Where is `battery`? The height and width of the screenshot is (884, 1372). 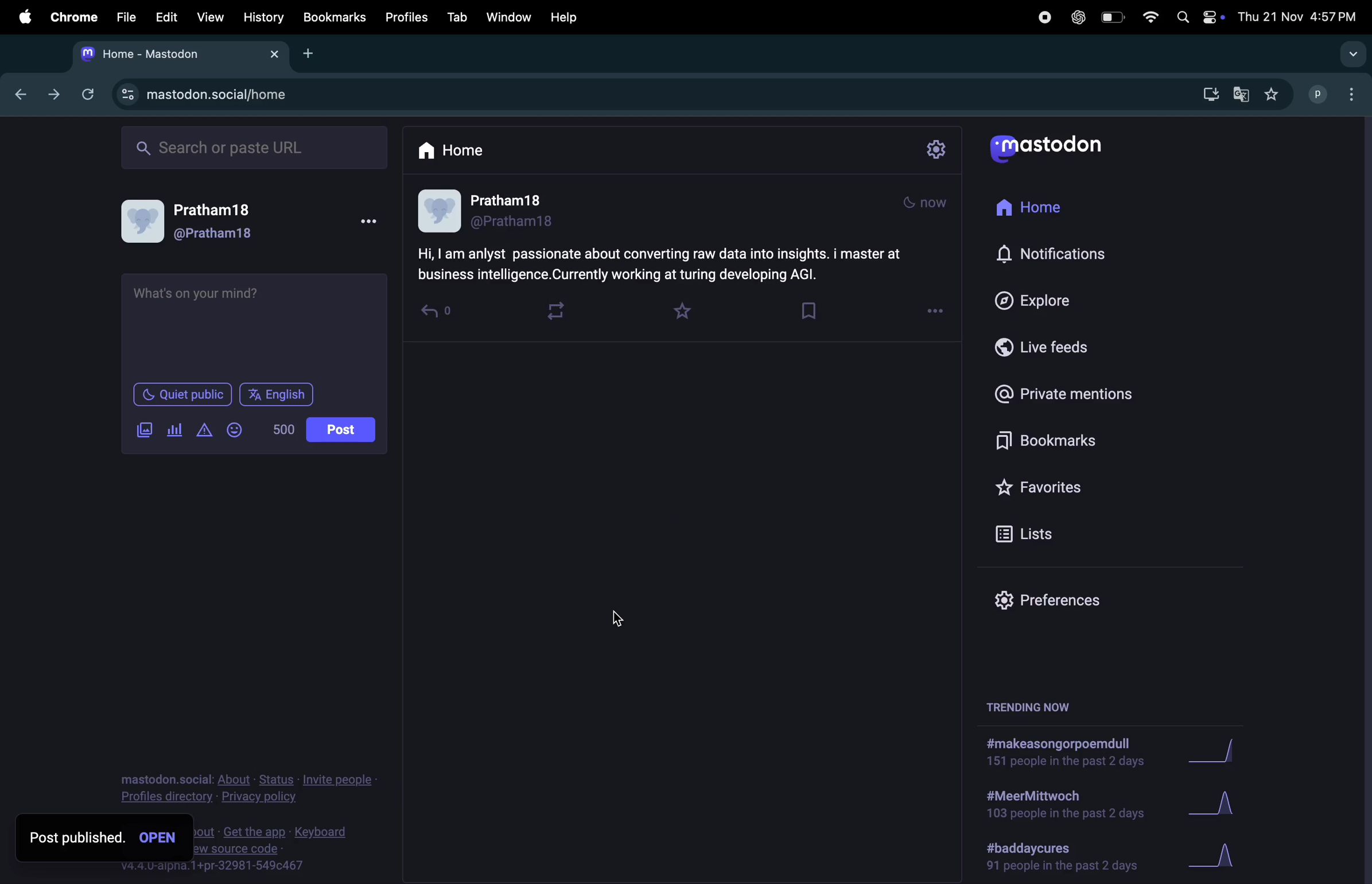 battery is located at coordinates (1111, 19).